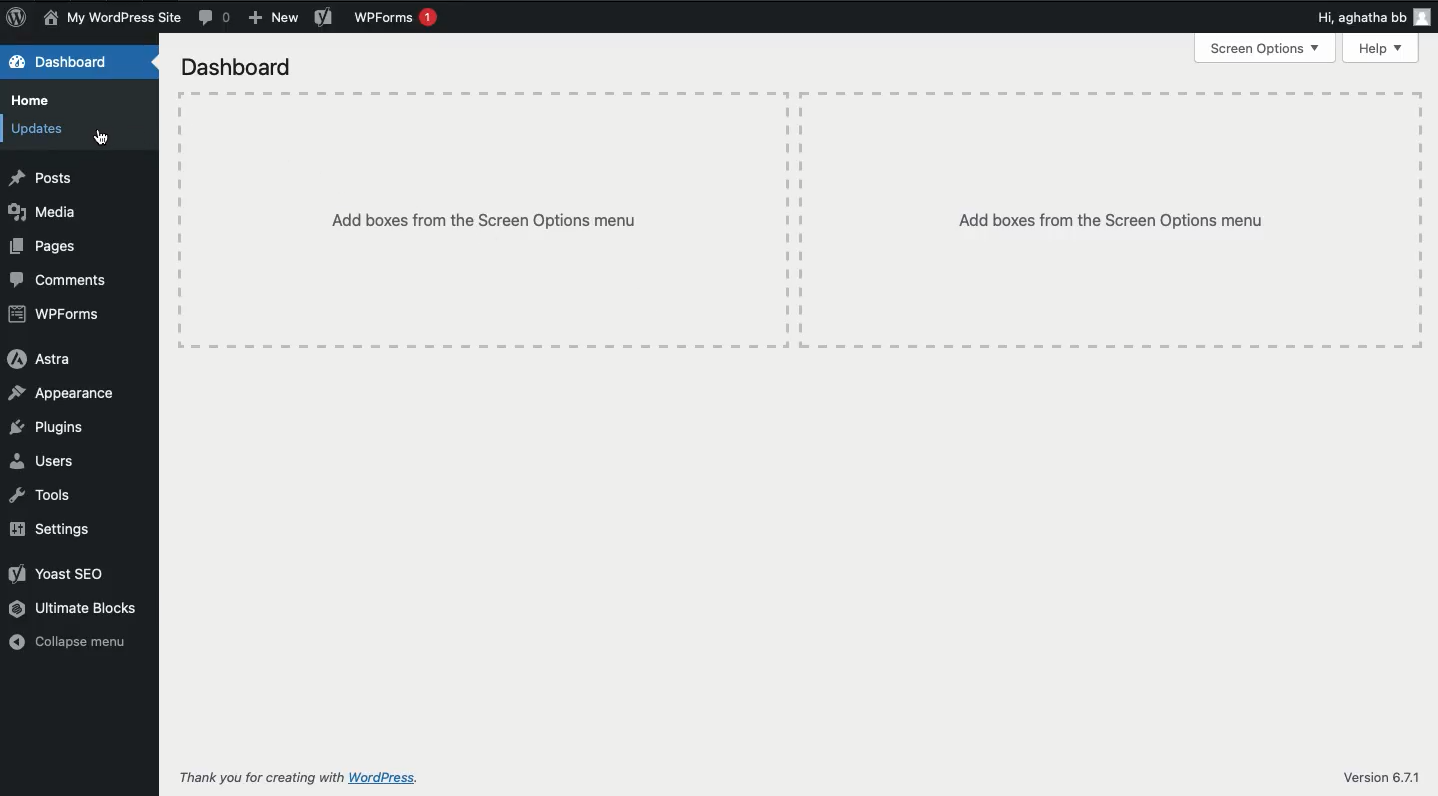  Describe the element at coordinates (270, 19) in the screenshot. I see `New` at that location.